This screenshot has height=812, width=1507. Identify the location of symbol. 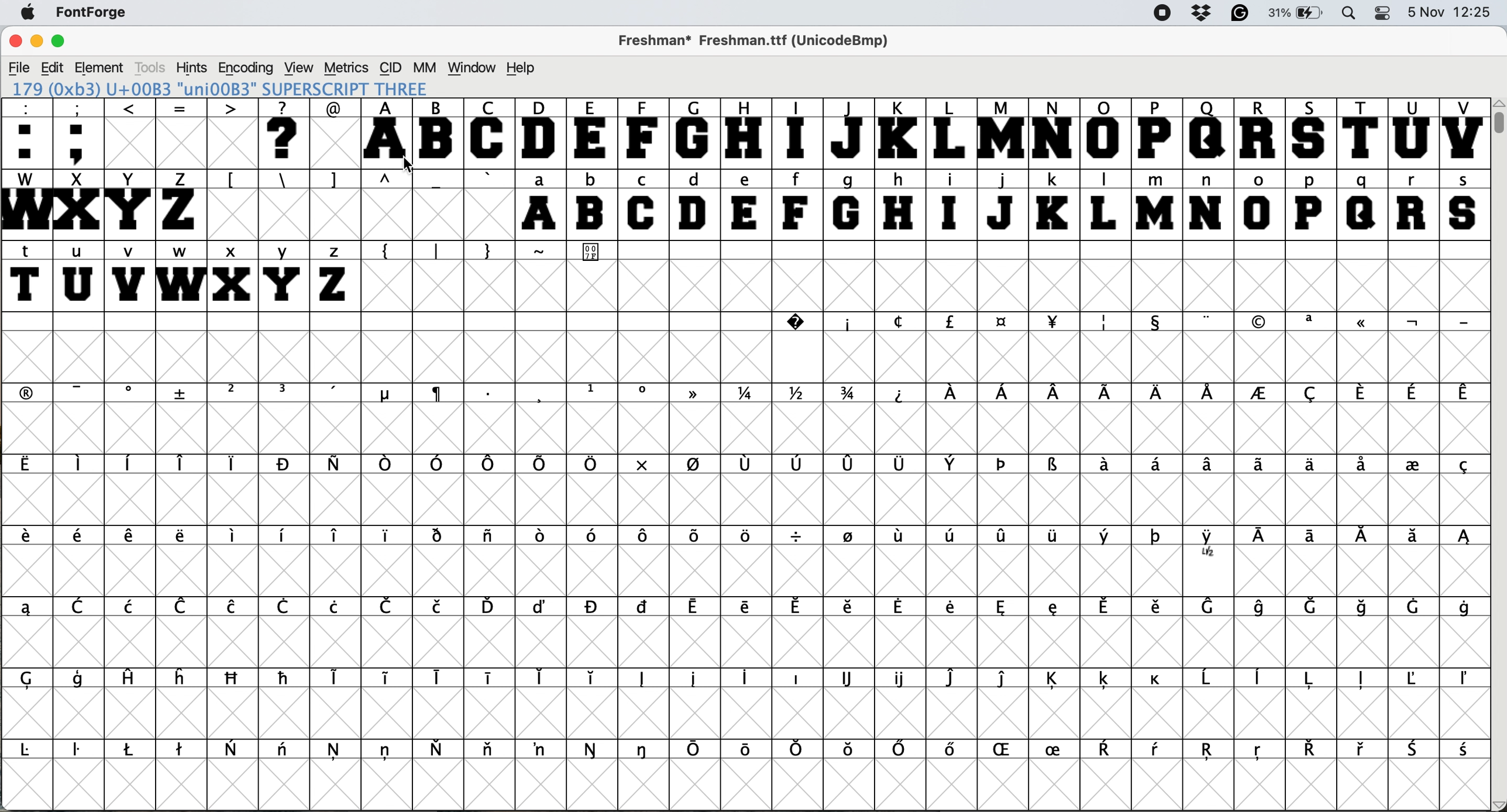
(1003, 394).